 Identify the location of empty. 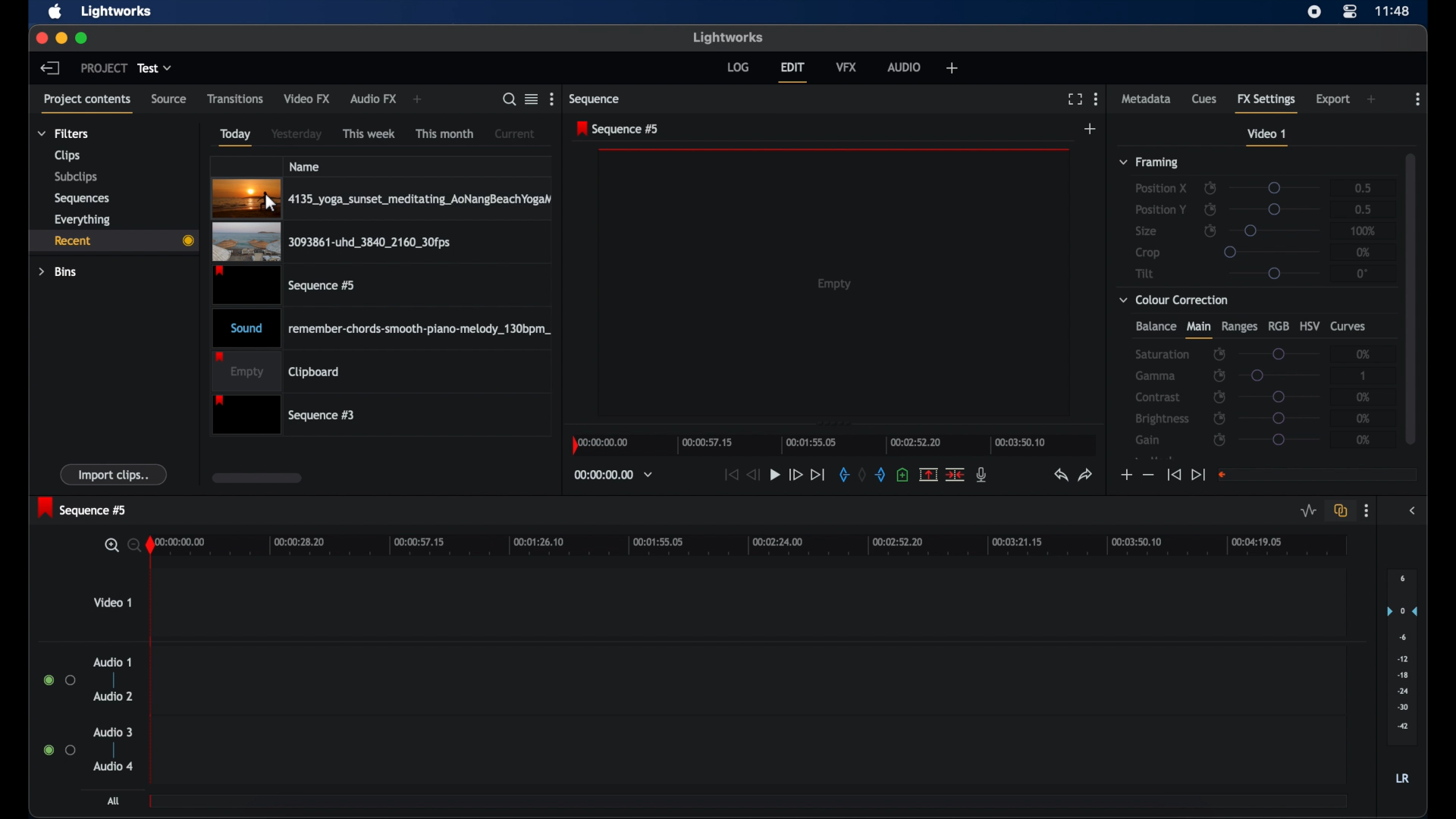
(276, 371).